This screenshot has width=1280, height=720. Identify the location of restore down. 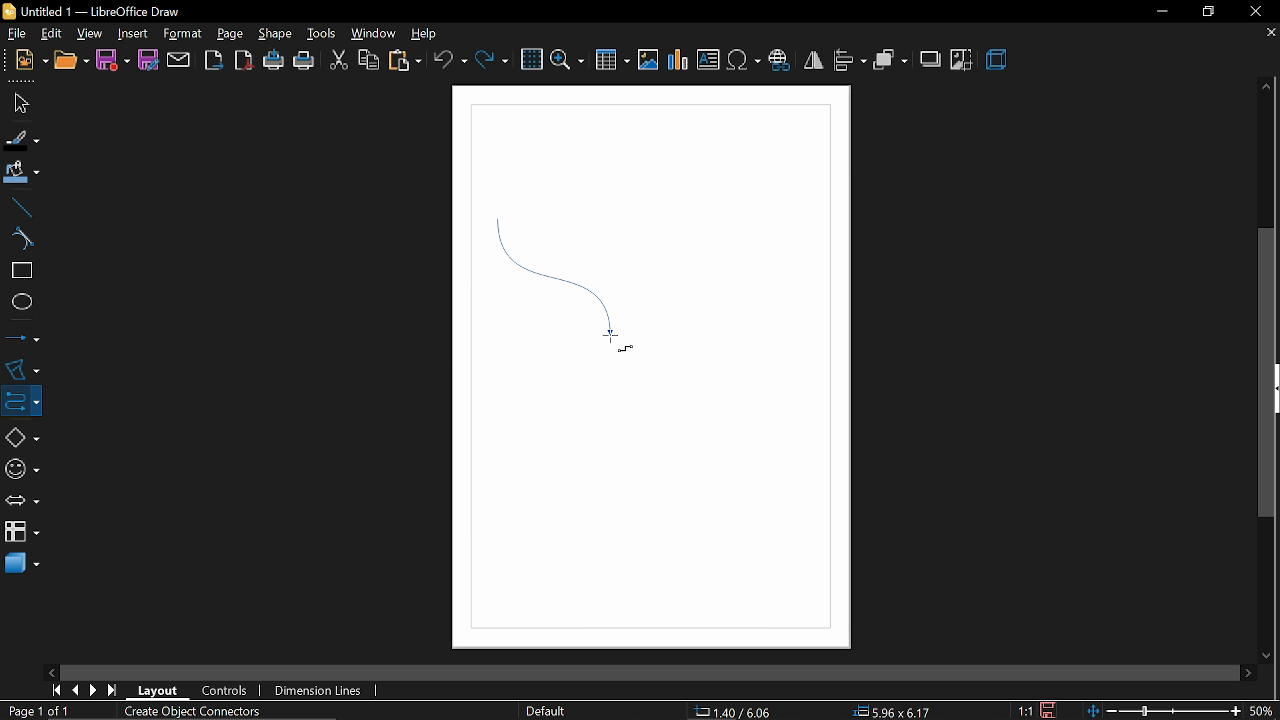
(1206, 11).